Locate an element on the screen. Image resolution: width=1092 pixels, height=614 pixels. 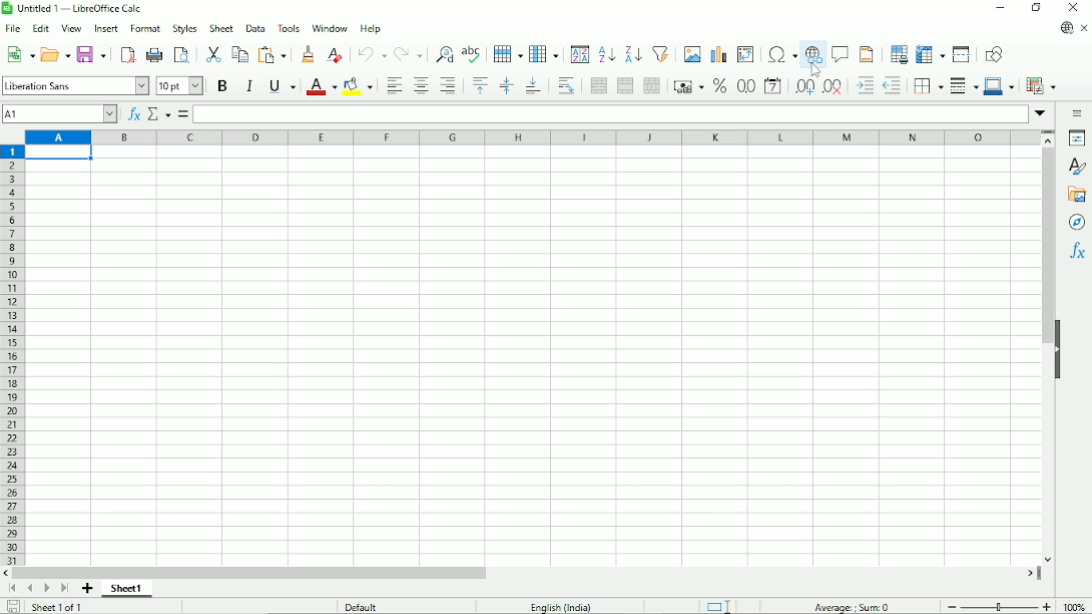
Format as number is located at coordinates (745, 86).